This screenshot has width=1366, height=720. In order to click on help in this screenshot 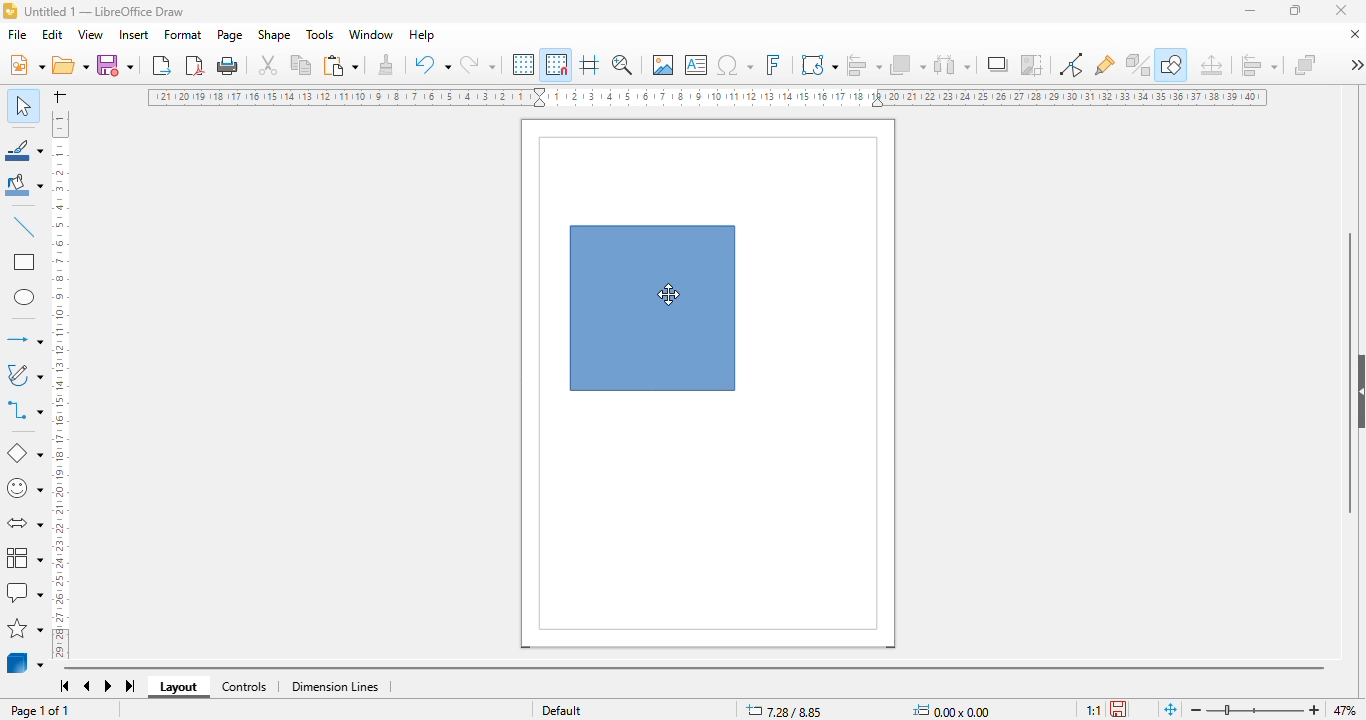, I will do `click(423, 35)`.